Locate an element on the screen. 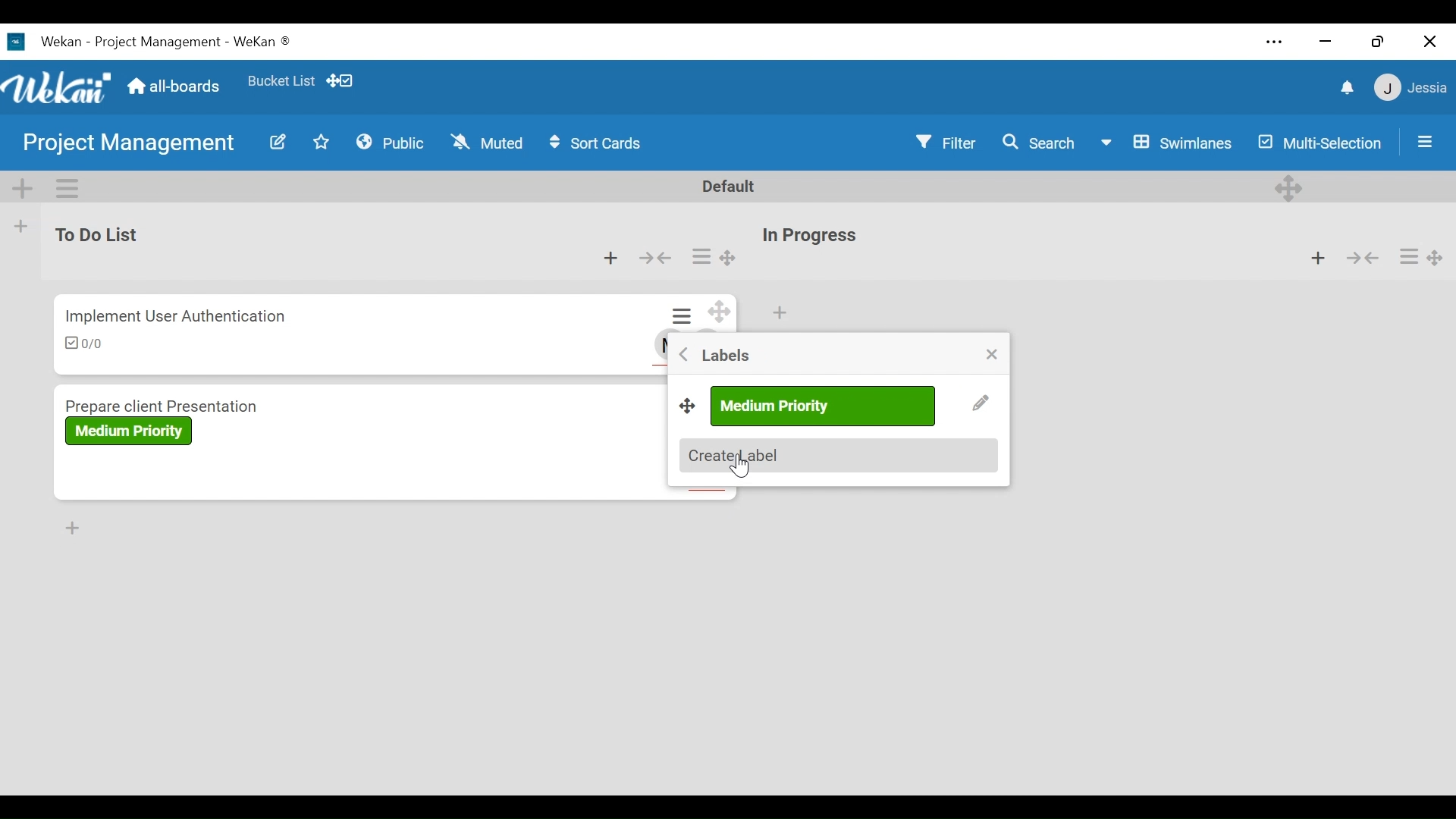  Public is located at coordinates (391, 141).